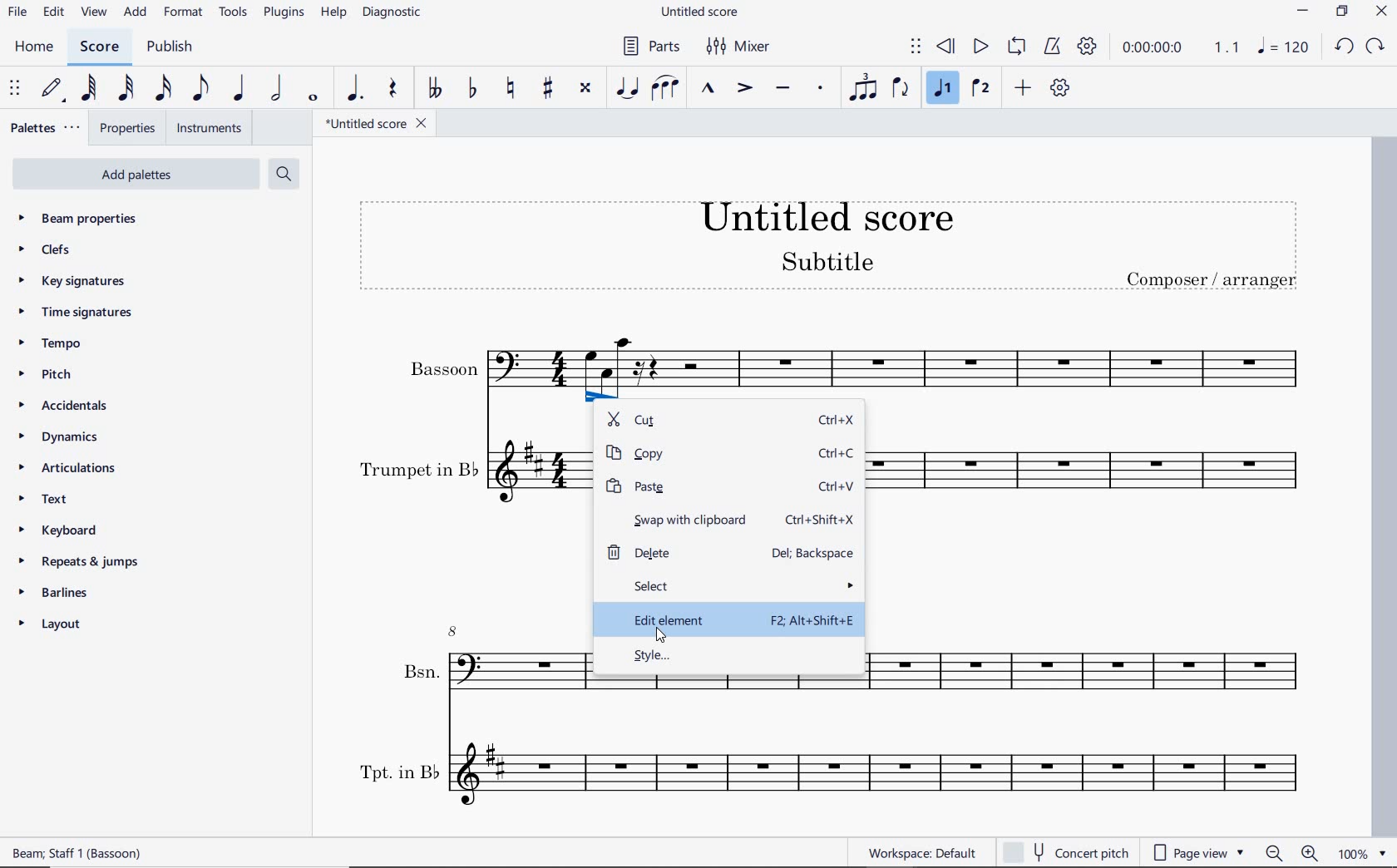  Describe the element at coordinates (743, 620) in the screenshot. I see `edit element` at that location.